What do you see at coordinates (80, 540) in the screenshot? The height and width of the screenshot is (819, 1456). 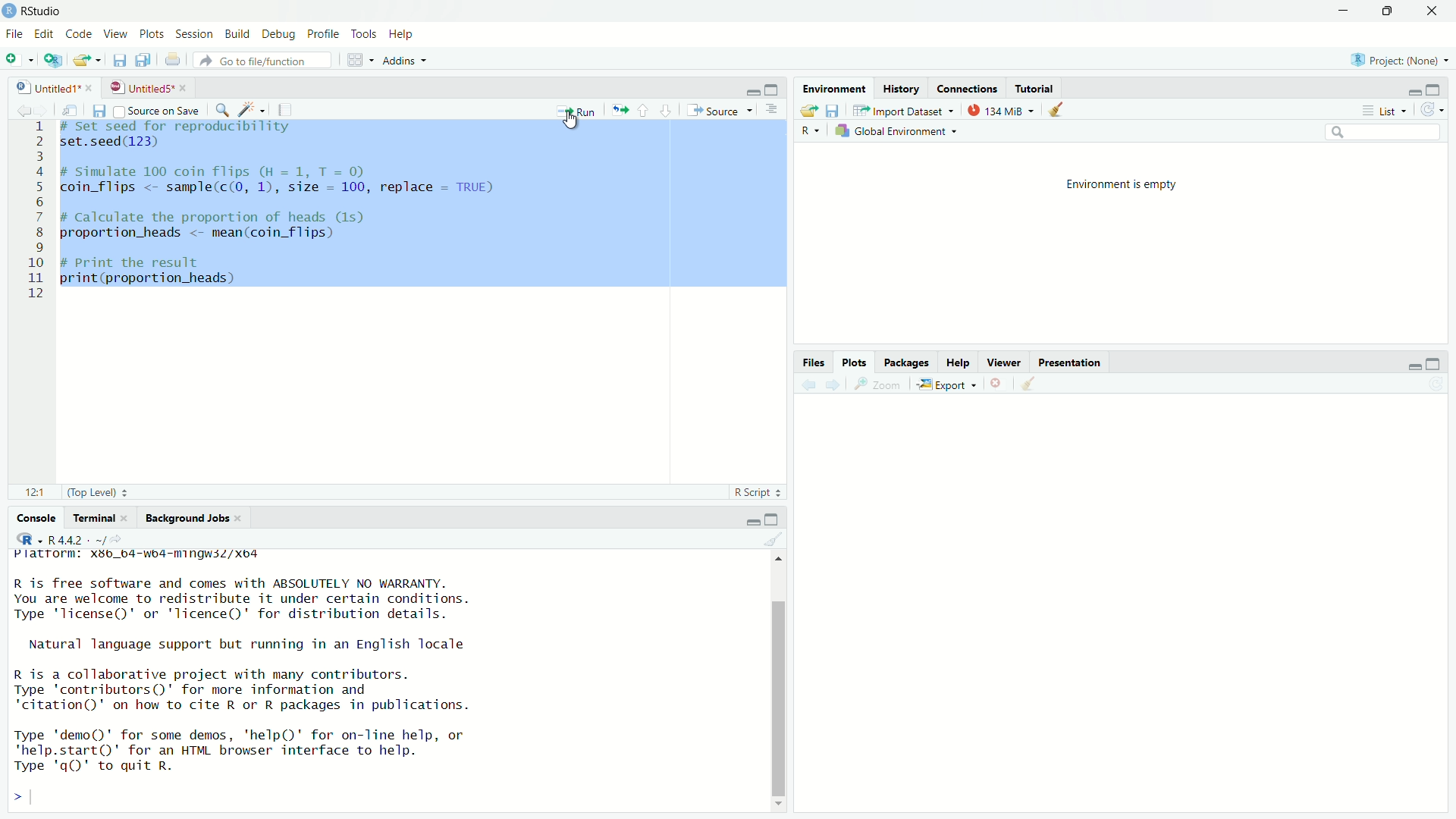 I see `R 4.4.2 . ~/` at bounding box center [80, 540].